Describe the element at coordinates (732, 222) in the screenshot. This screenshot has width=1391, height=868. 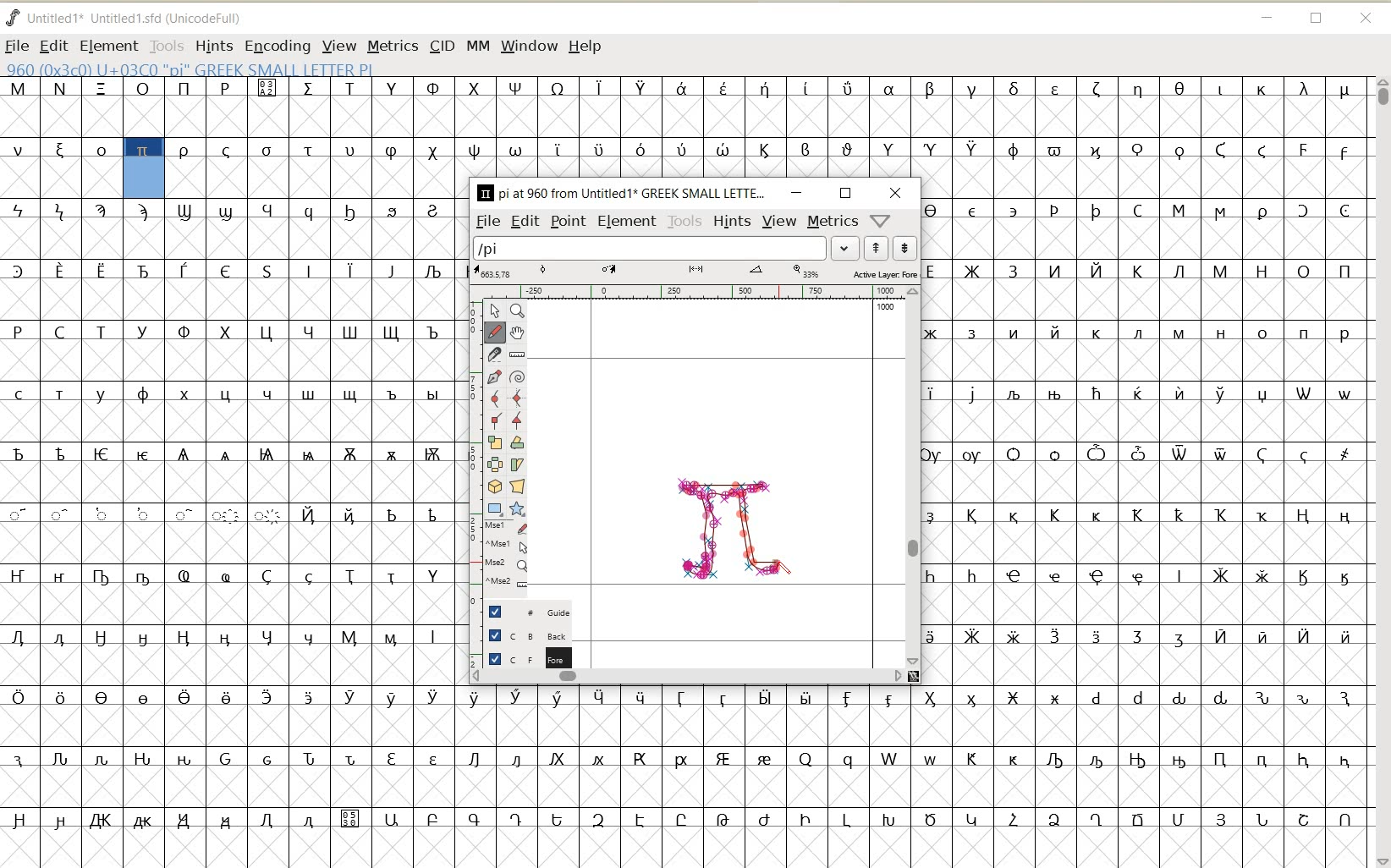
I see `HINTS` at that location.